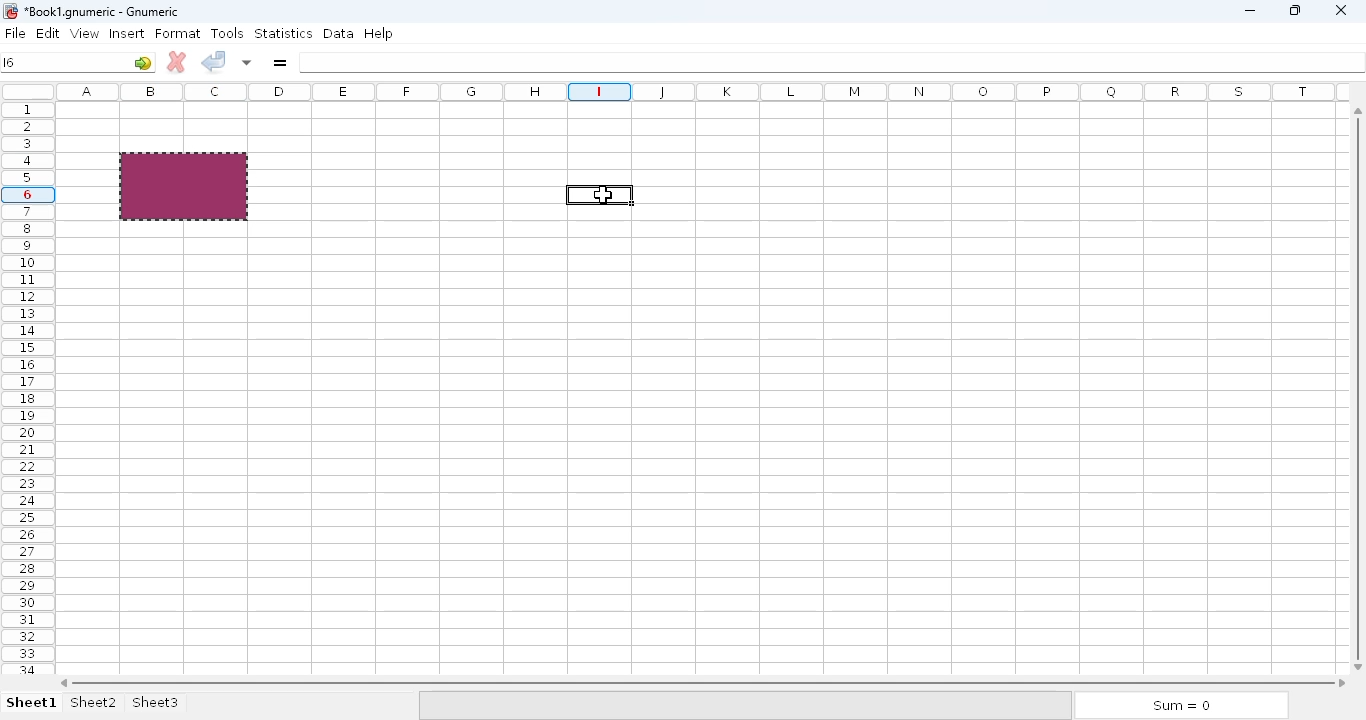 The width and height of the screenshot is (1366, 720). Describe the element at coordinates (281, 62) in the screenshot. I see `enter formula` at that location.